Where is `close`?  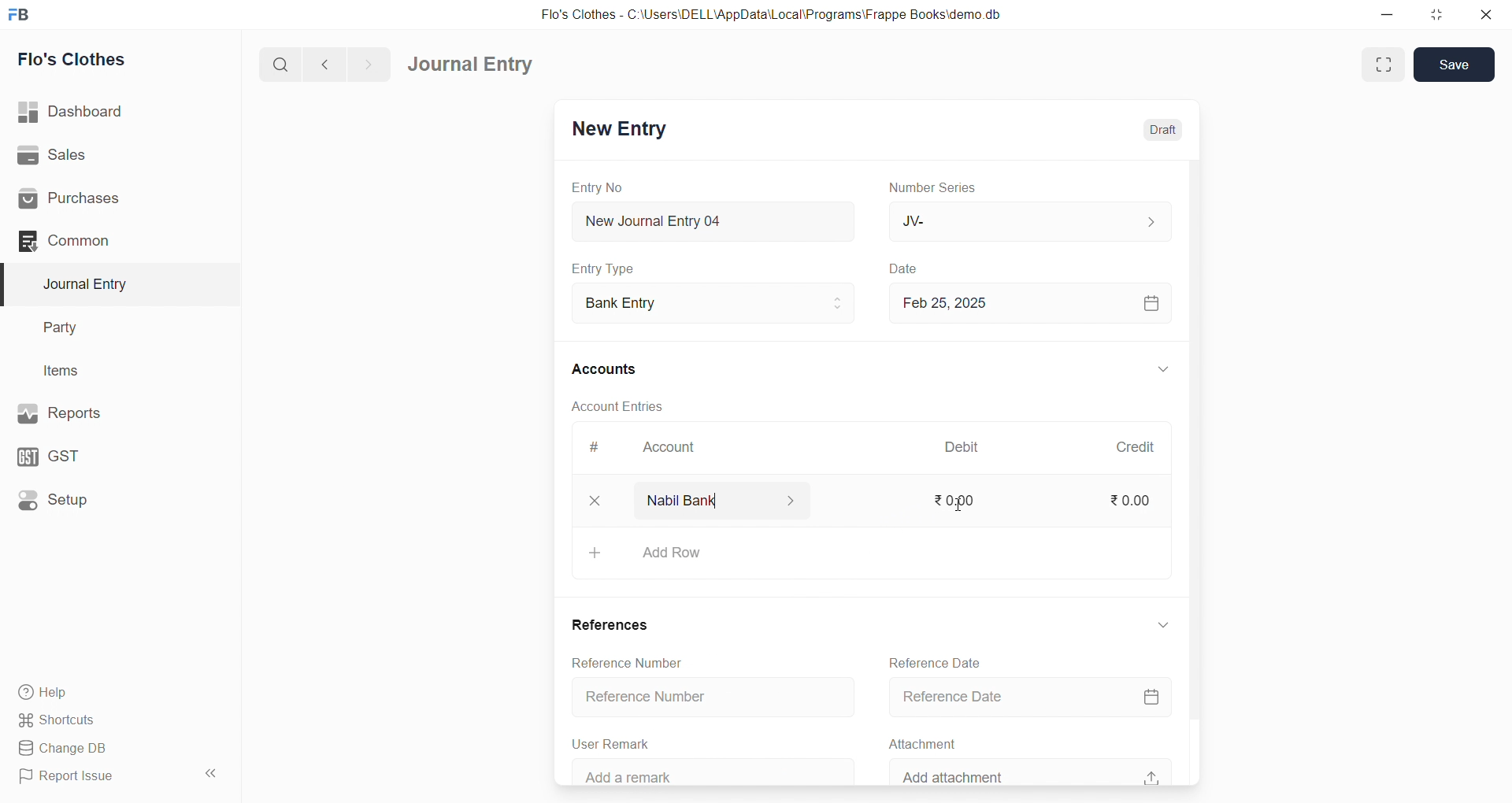 close is located at coordinates (1480, 14).